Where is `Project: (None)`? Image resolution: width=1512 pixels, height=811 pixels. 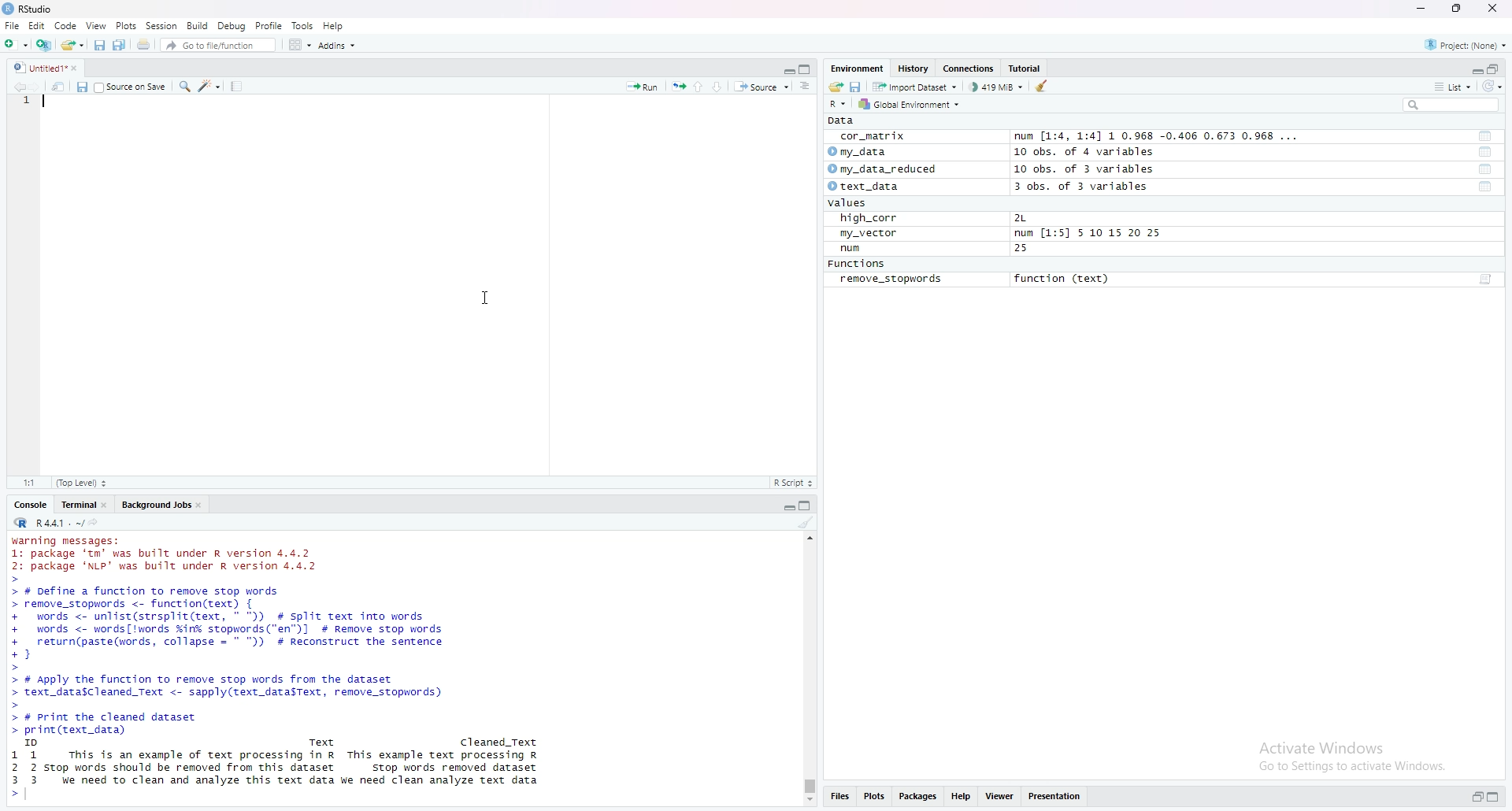
Project: (None) is located at coordinates (1465, 44).